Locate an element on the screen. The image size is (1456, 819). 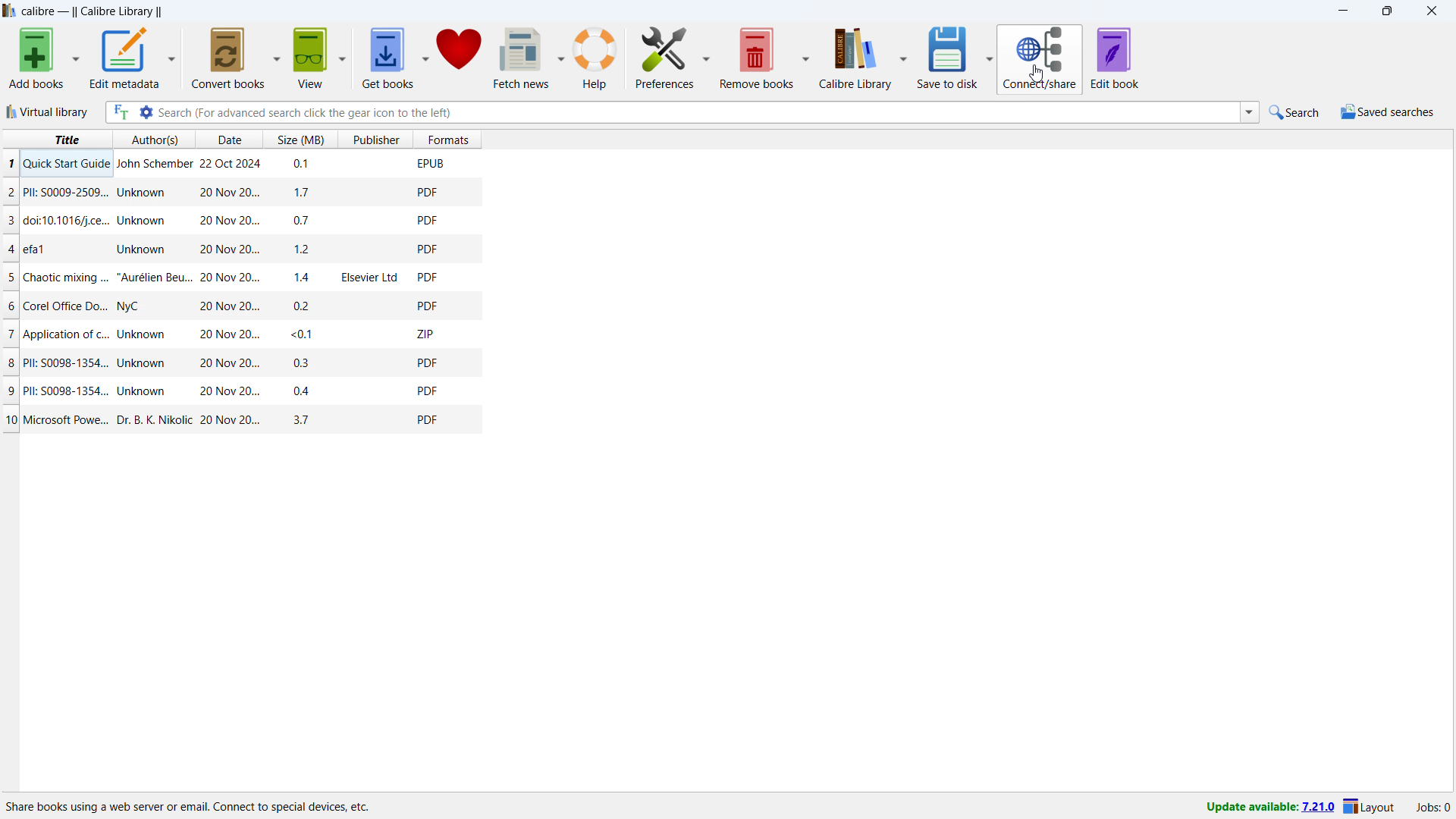
quick search is located at coordinates (1294, 112).